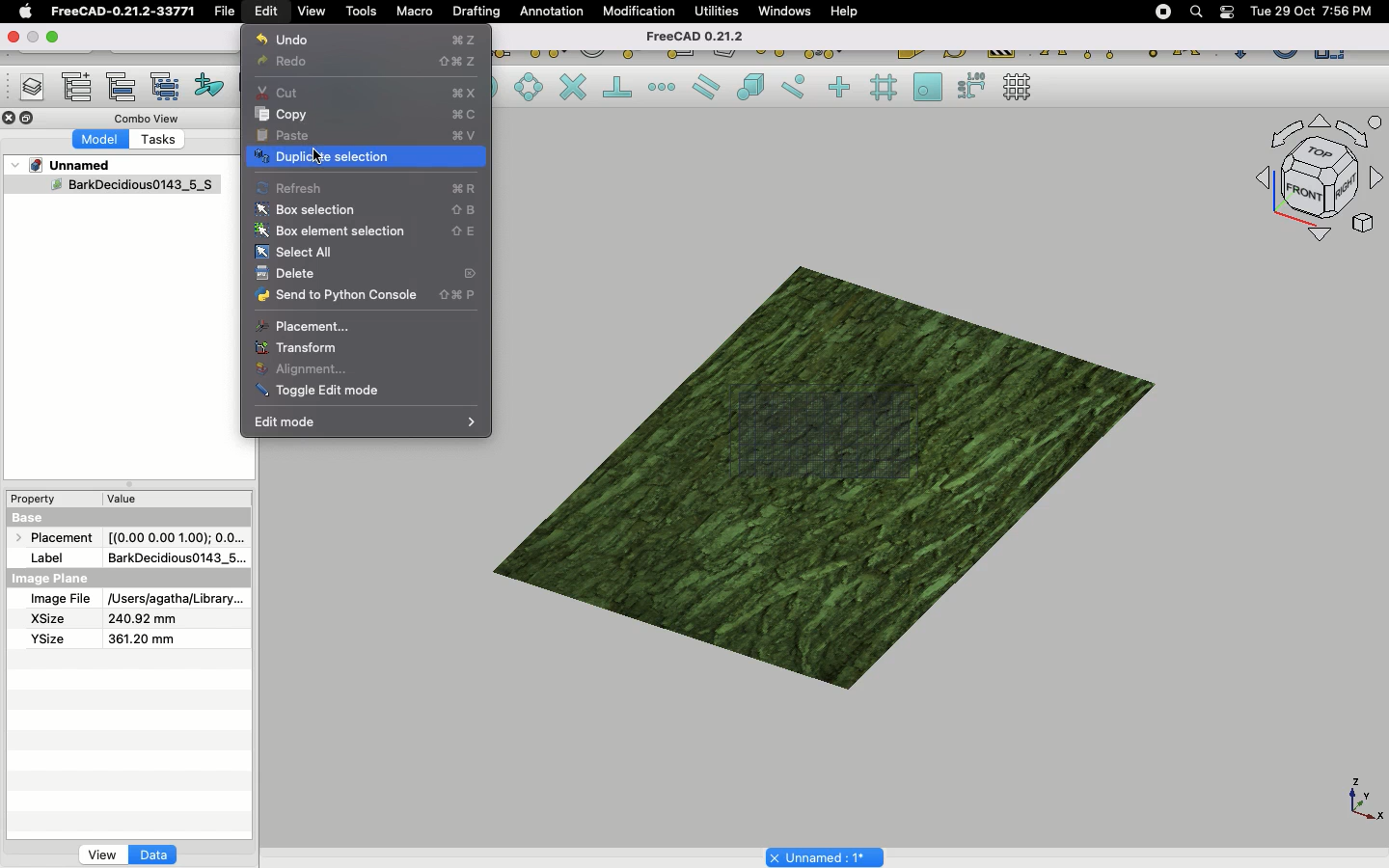 Image resolution: width=1389 pixels, height=868 pixels. I want to click on Date/time, so click(1311, 10).